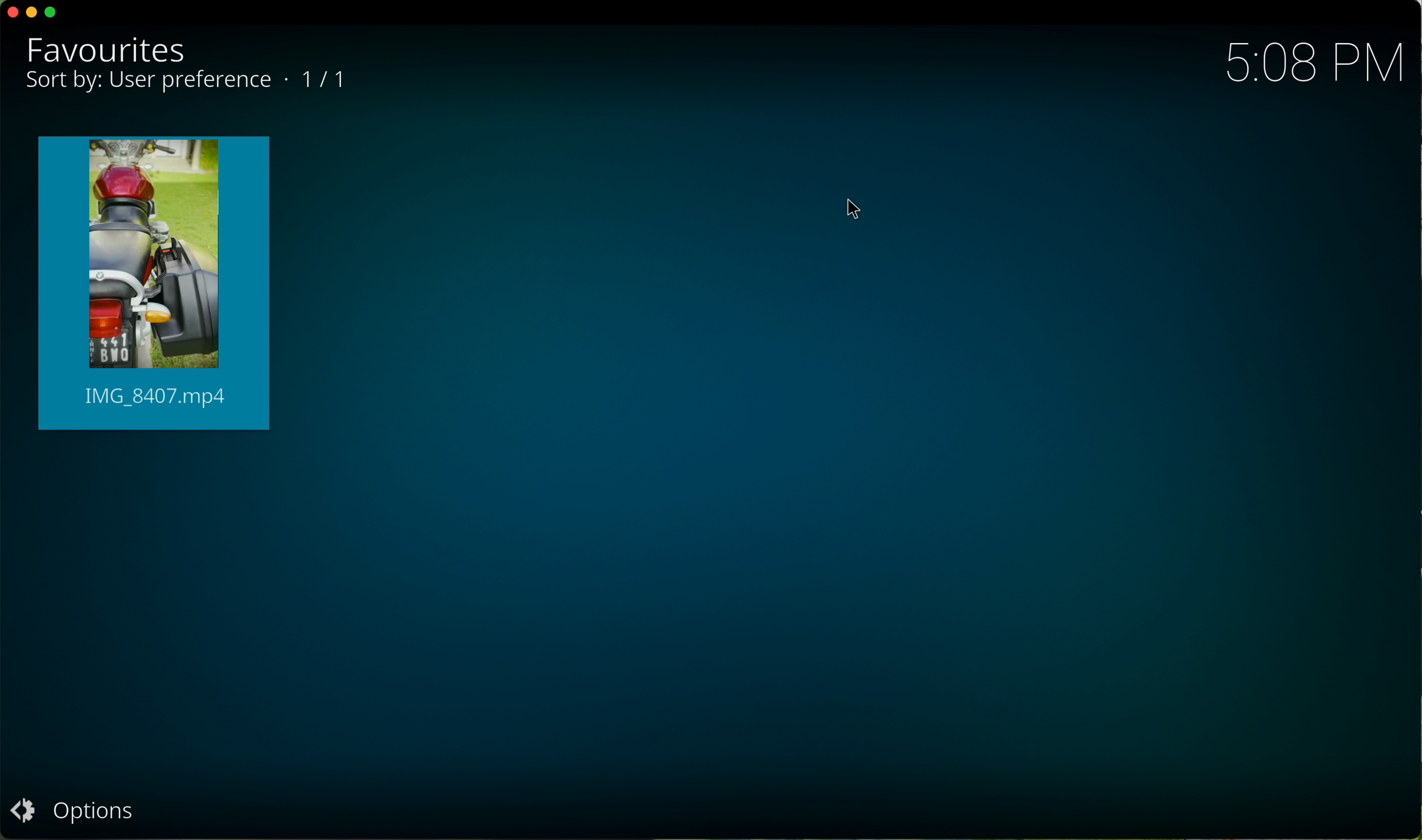 Image resolution: width=1422 pixels, height=840 pixels. What do you see at coordinates (1307, 61) in the screenshot?
I see `5:08 PM` at bounding box center [1307, 61].